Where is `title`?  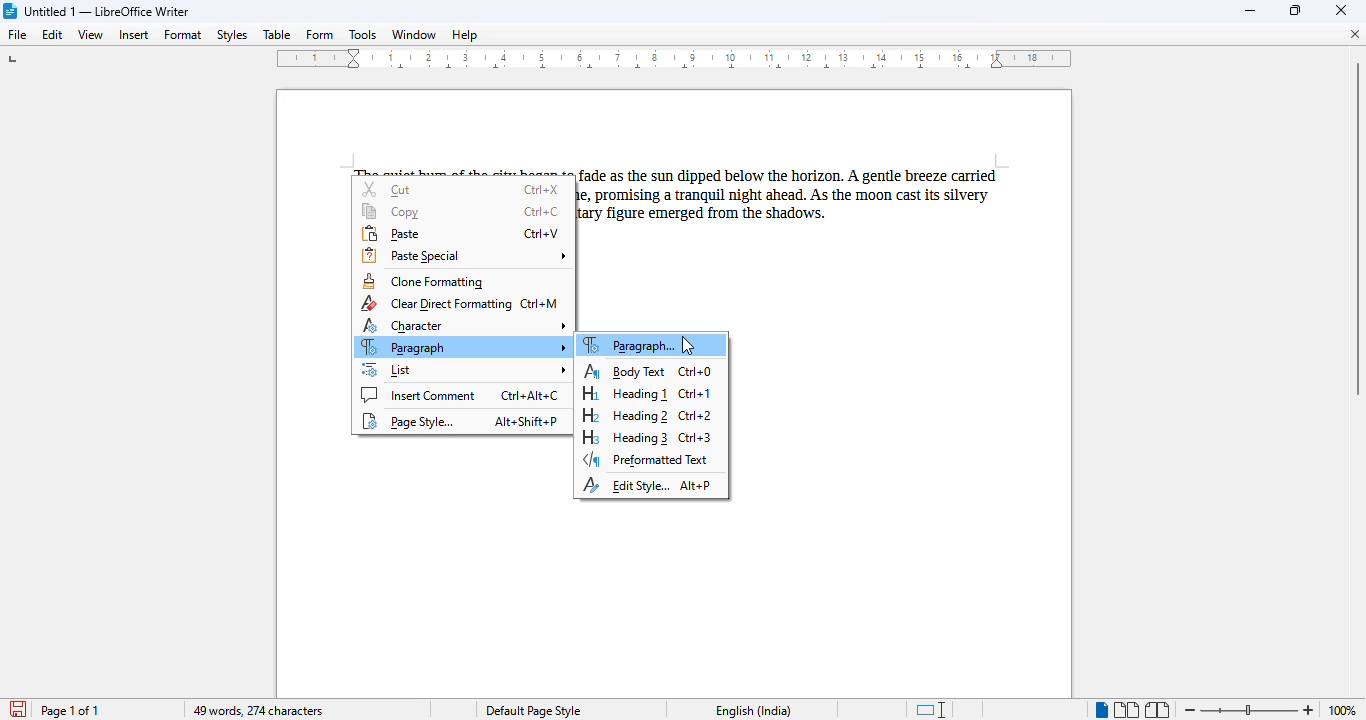
title is located at coordinates (107, 11).